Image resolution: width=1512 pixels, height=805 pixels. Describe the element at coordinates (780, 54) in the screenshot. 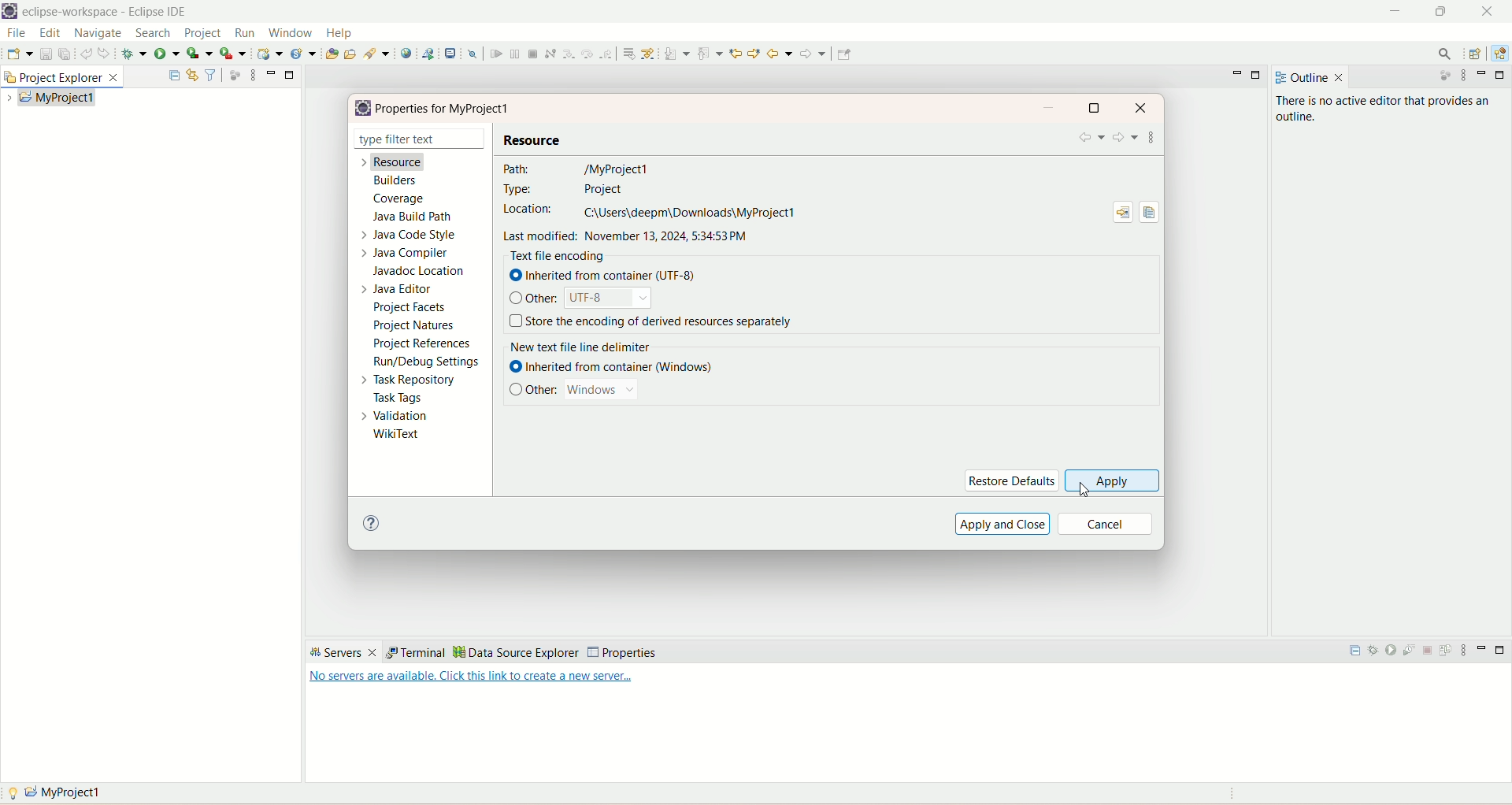

I see `back` at that location.